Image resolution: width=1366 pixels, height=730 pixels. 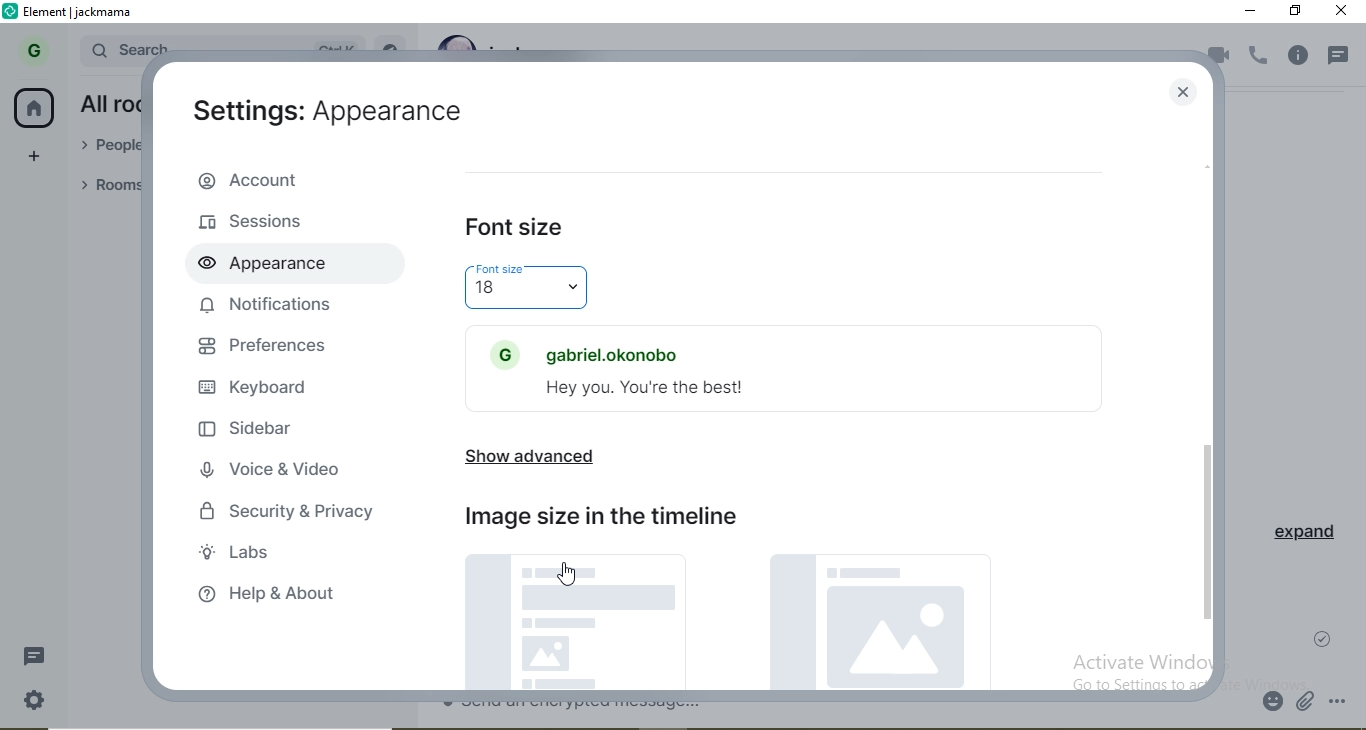 What do you see at coordinates (1274, 703) in the screenshot?
I see `emoji` at bounding box center [1274, 703].